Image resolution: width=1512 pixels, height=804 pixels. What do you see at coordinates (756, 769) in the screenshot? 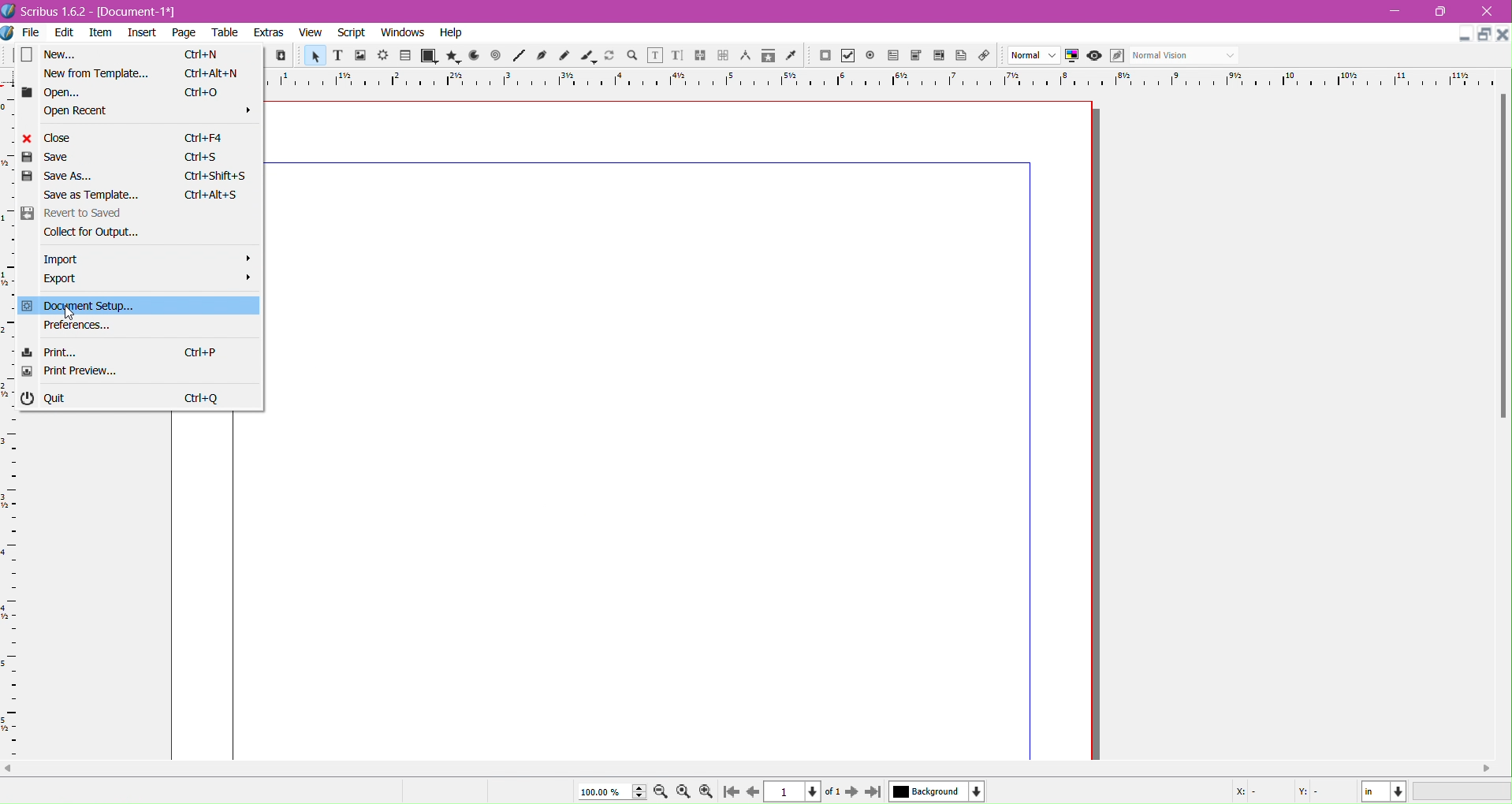
I see `Scroll` at bounding box center [756, 769].